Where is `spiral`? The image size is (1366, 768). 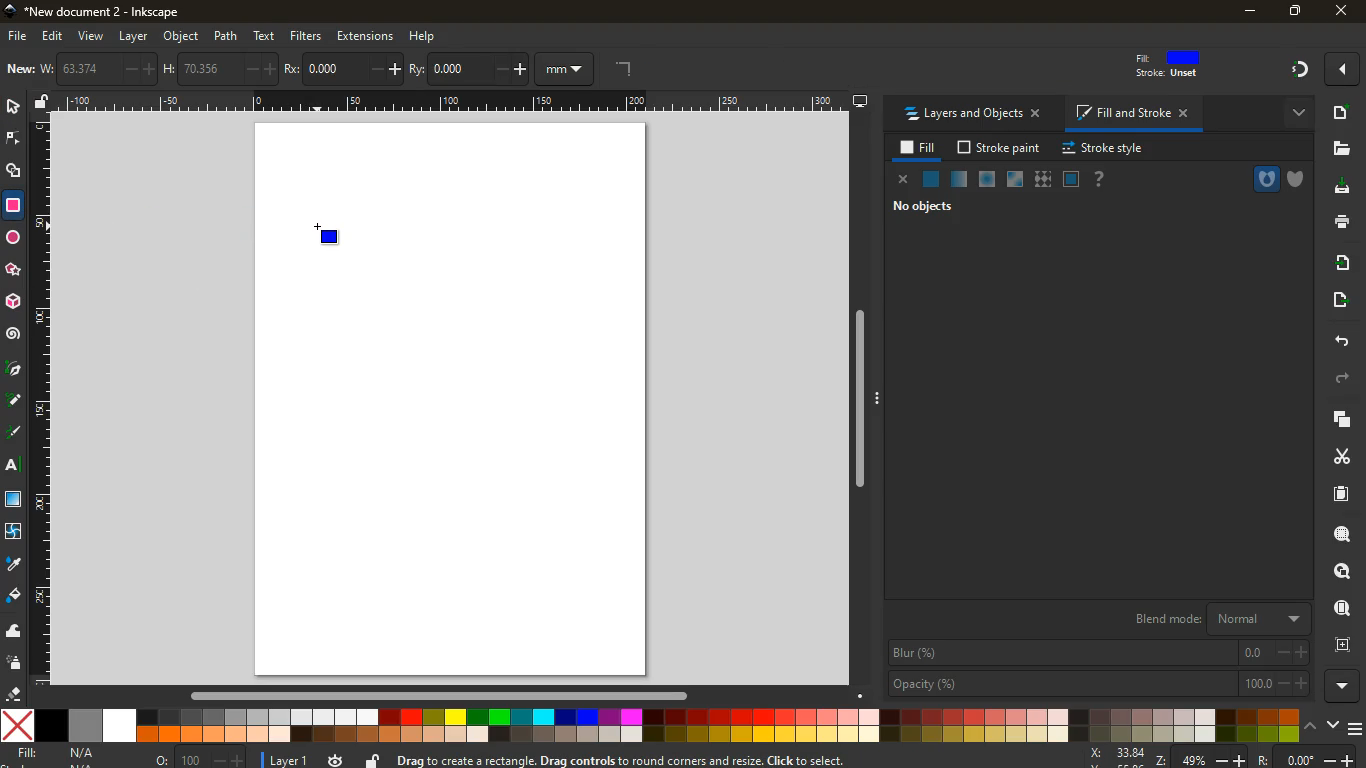 spiral is located at coordinates (14, 336).